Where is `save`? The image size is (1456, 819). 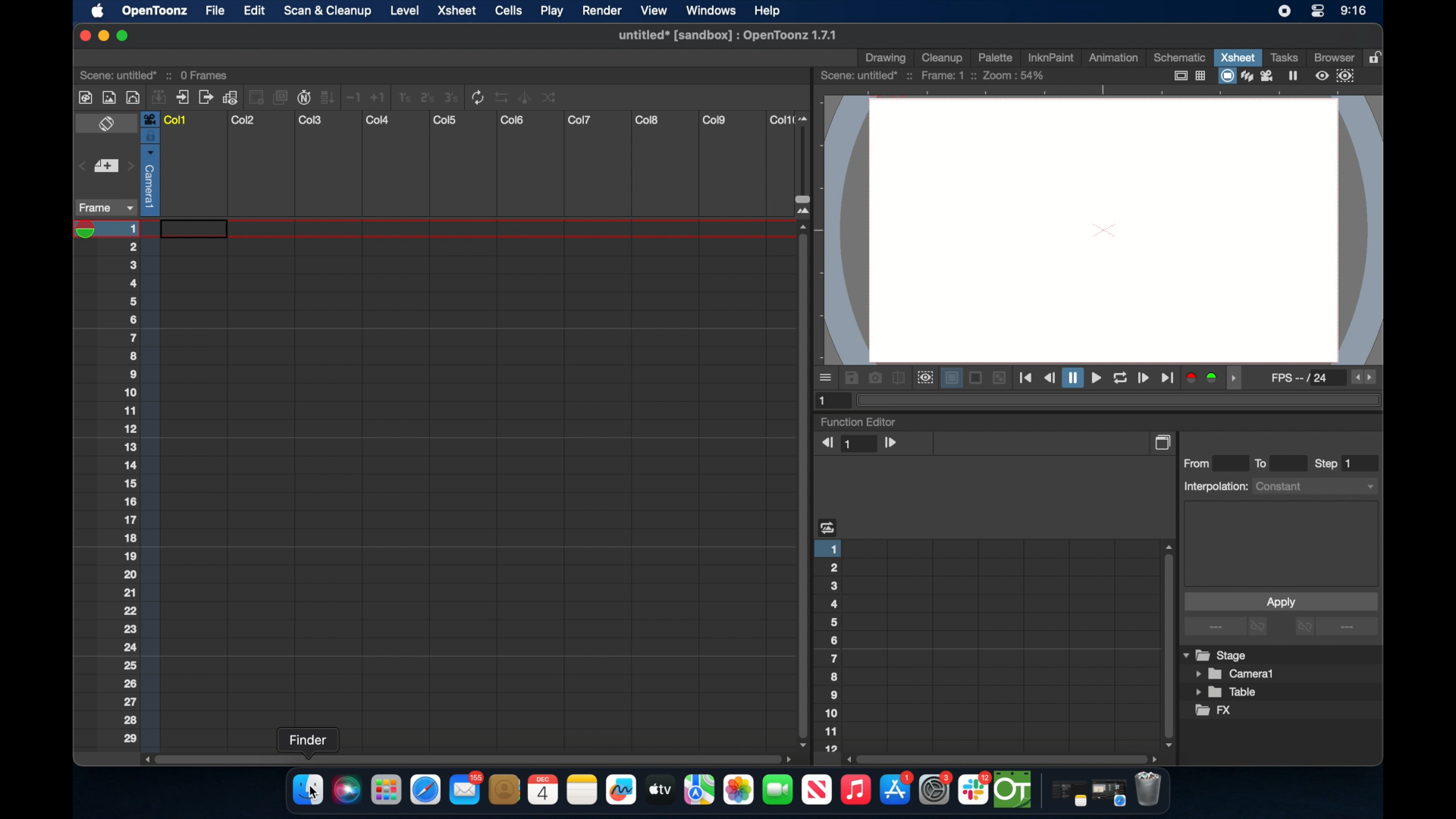 save is located at coordinates (852, 378).